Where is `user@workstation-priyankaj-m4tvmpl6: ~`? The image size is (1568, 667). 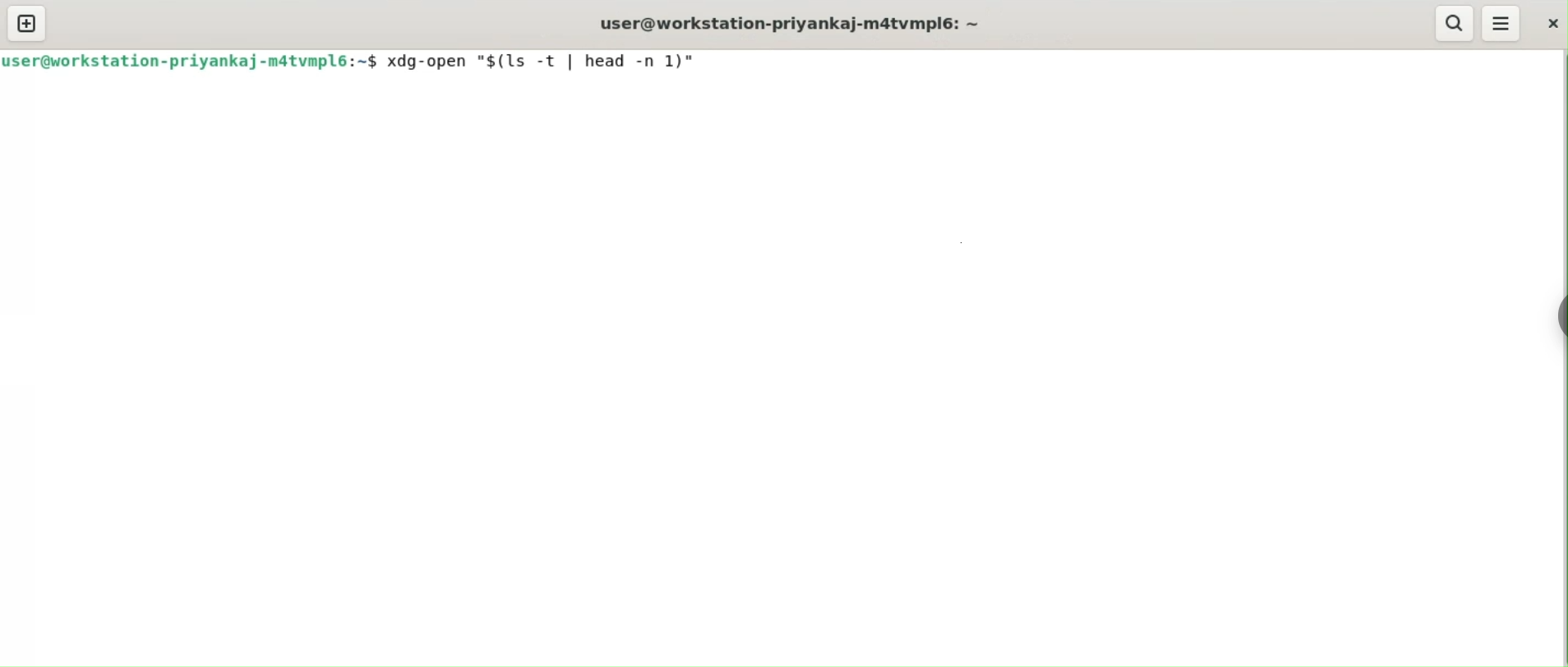
user@workstation-priyankaj-m4tvmpl6: ~ is located at coordinates (781, 23).